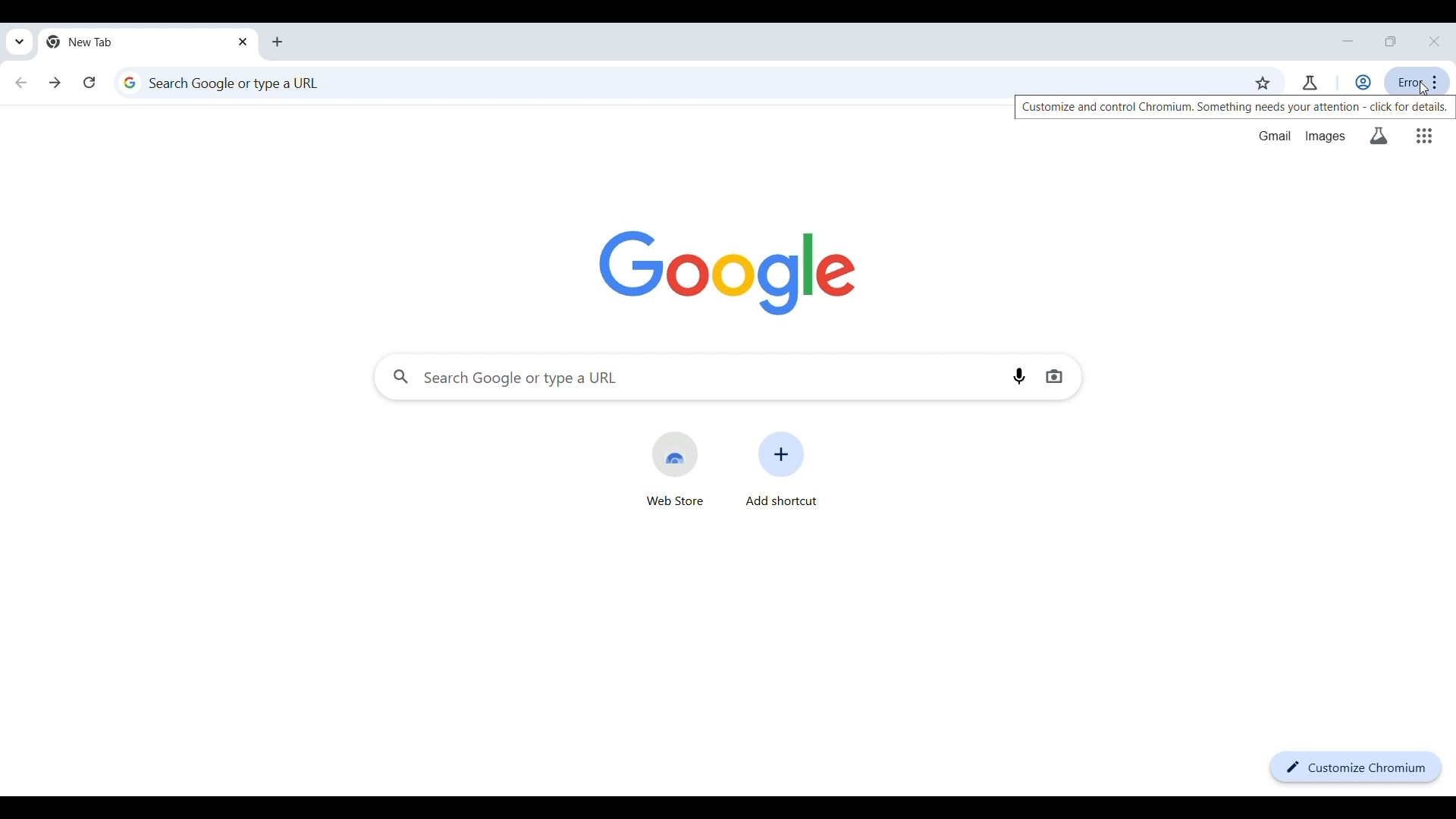 The width and height of the screenshot is (1456, 819). What do you see at coordinates (1357, 767) in the screenshot?
I see `Customize Chromium ` at bounding box center [1357, 767].